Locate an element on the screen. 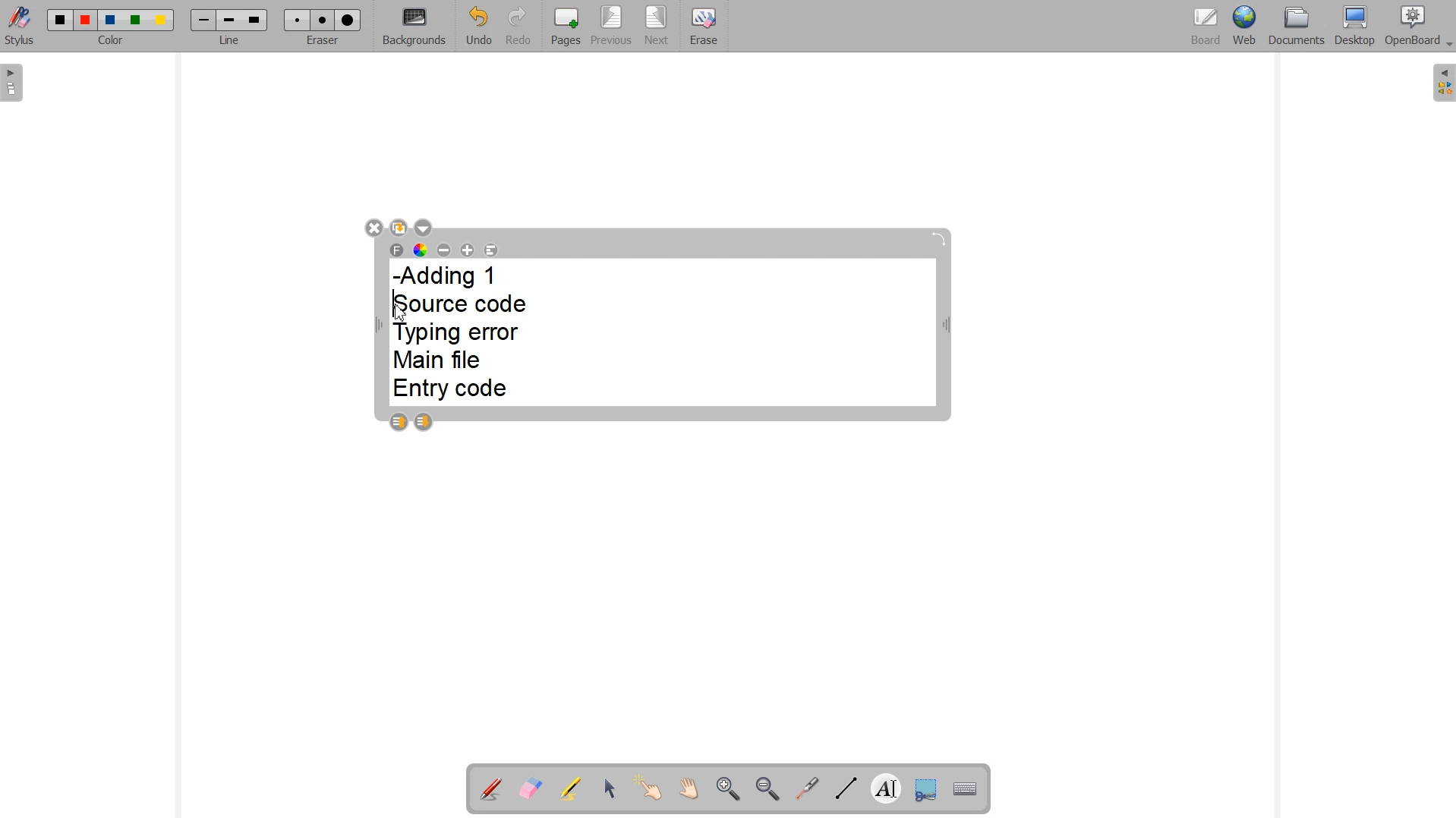 The width and height of the screenshot is (1456, 818). Draw lines is located at coordinates (844, 788).